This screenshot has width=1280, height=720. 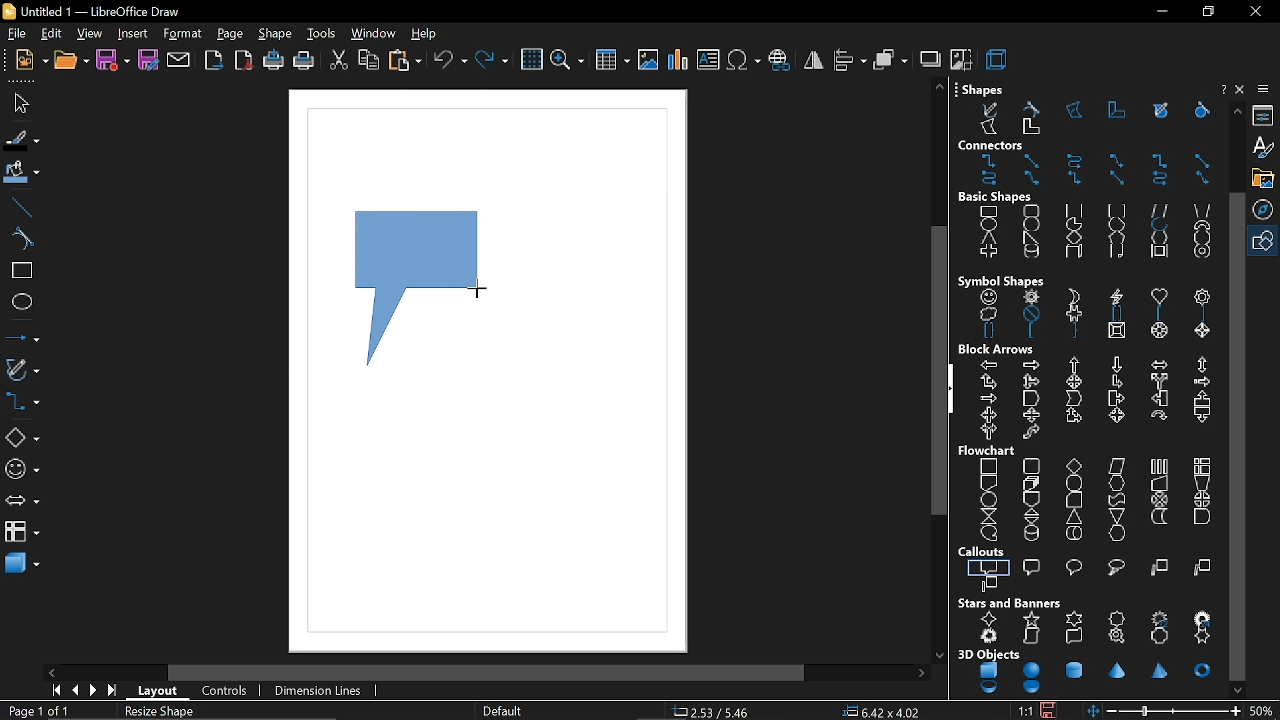 What do you see at coordinates (1030, 160) in the screenshot?
I see `straight connector ends with arrow` at bounding box center [1030, 160].